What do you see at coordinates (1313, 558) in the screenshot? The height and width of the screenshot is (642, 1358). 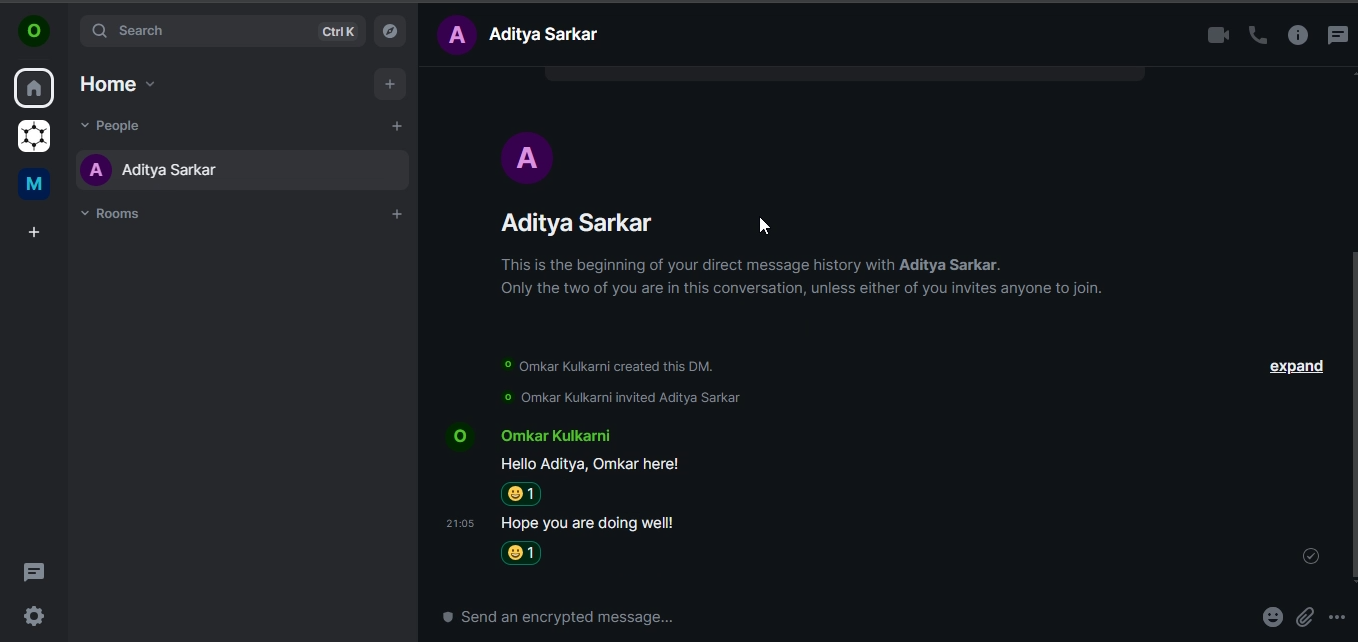 I see `message sent` at bounding box center [1313, 558].